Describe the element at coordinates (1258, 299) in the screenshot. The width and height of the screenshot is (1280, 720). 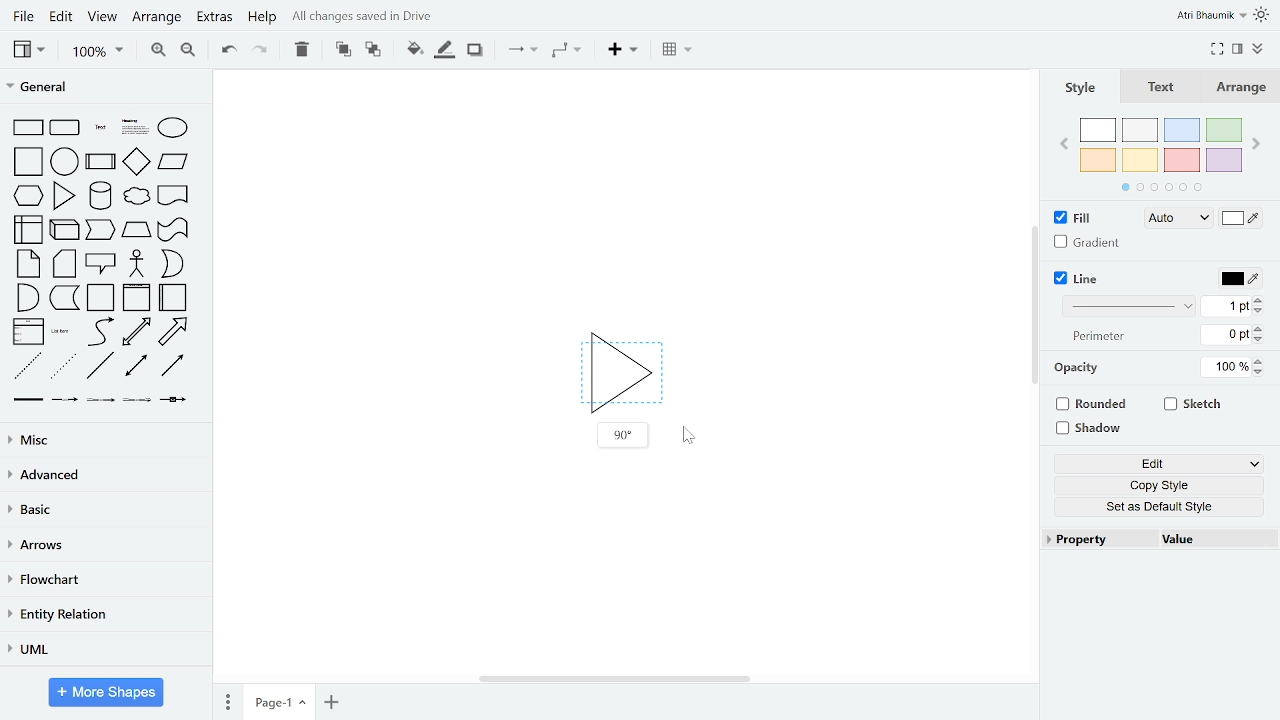
I see `increase line width` at that location.